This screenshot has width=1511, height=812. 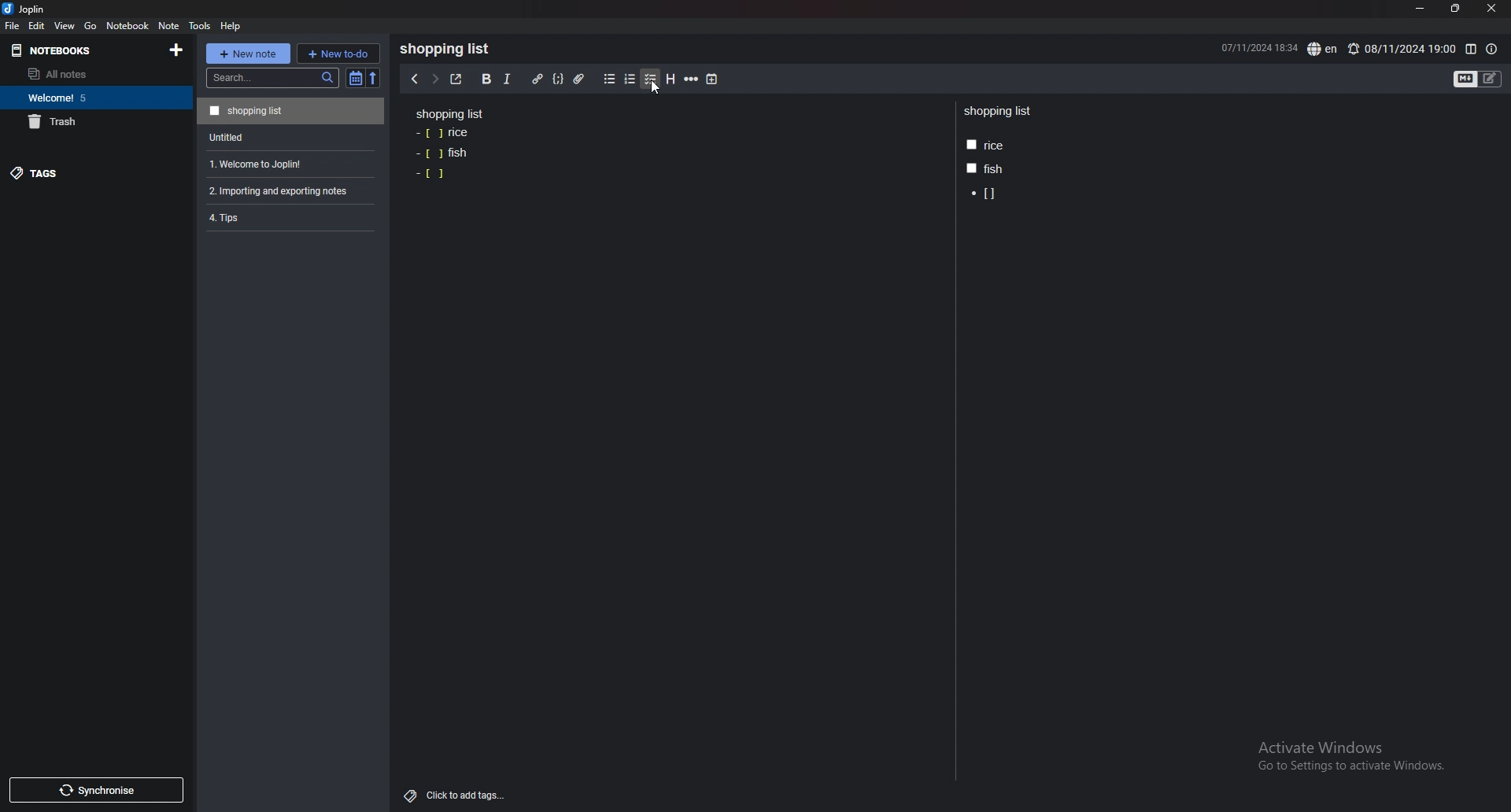 I want to click on 2. Importing and exporting notes., so click(x=289, y=189).